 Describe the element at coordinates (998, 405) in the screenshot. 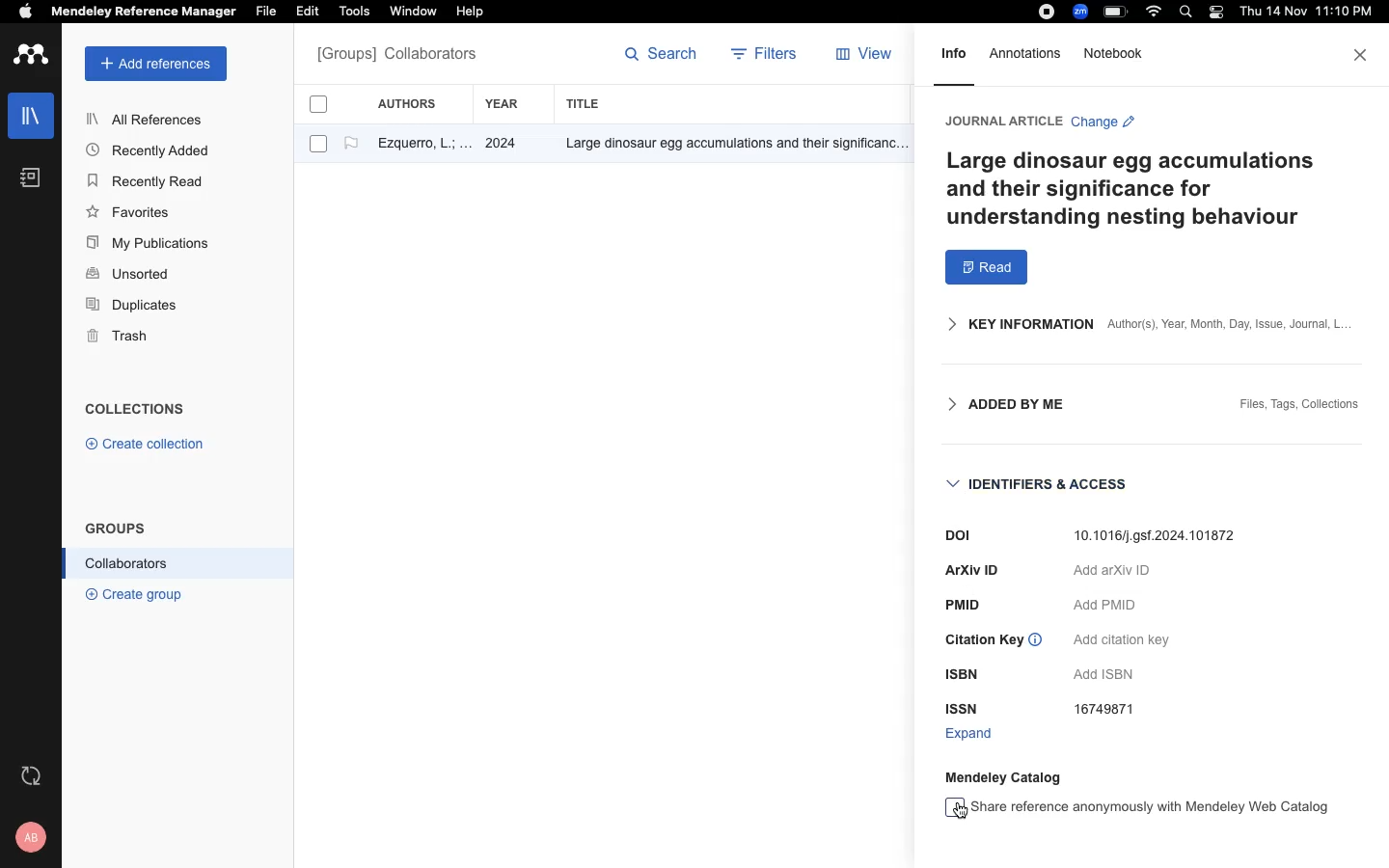

I see `ADDED BY ME` at that location.